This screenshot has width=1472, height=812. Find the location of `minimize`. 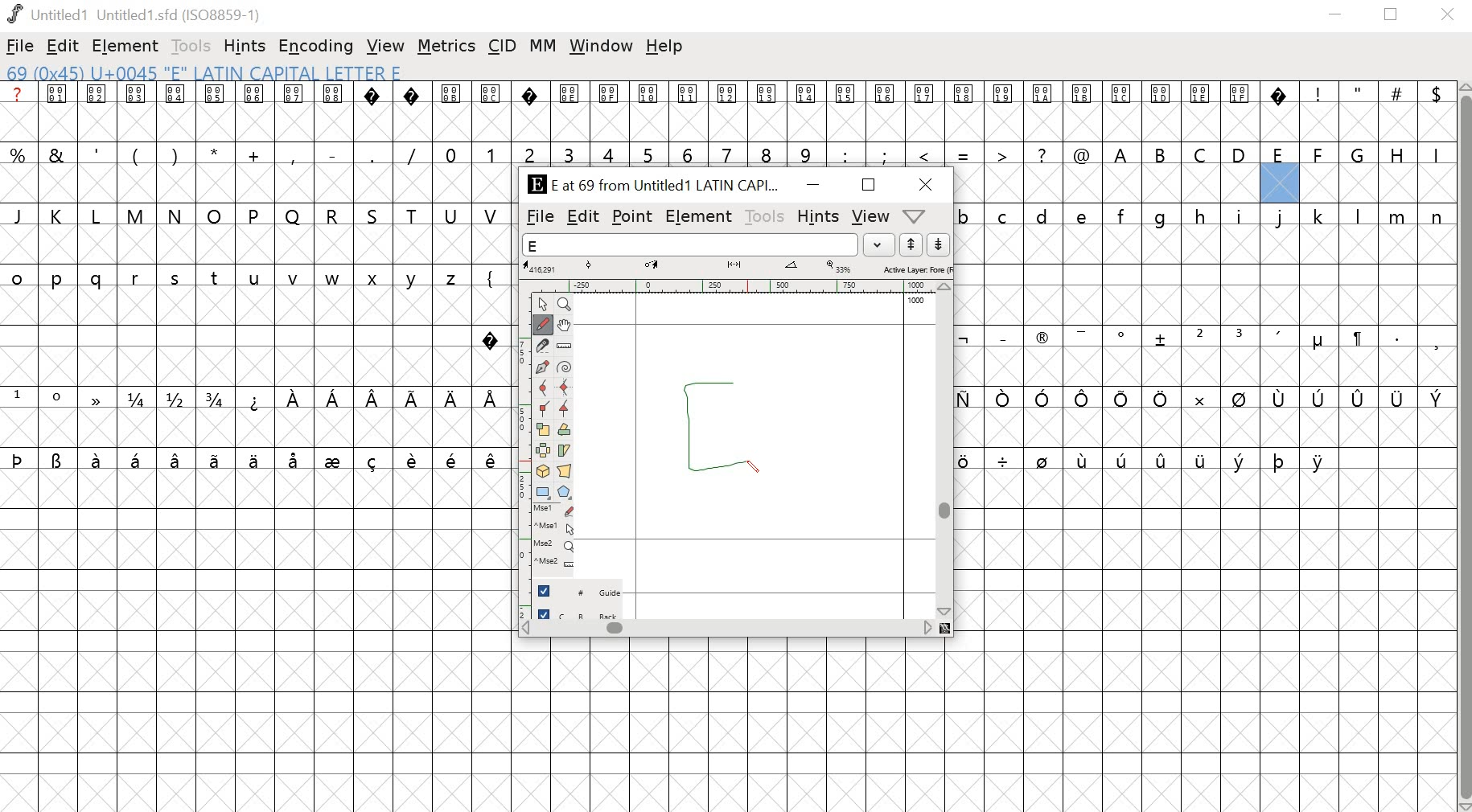

minimize is located at coordinates (812, 187).